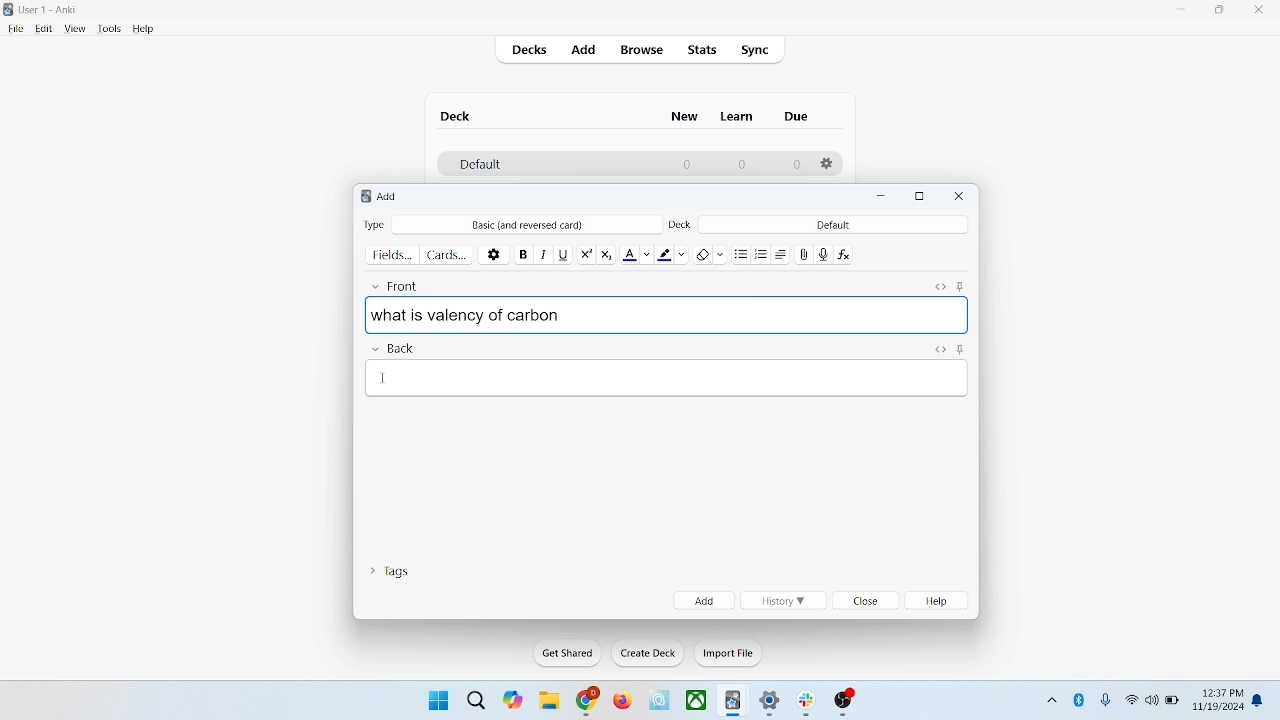  Describe the element at coordinates (495, 253) in the screenshot. I see `options` at that location.